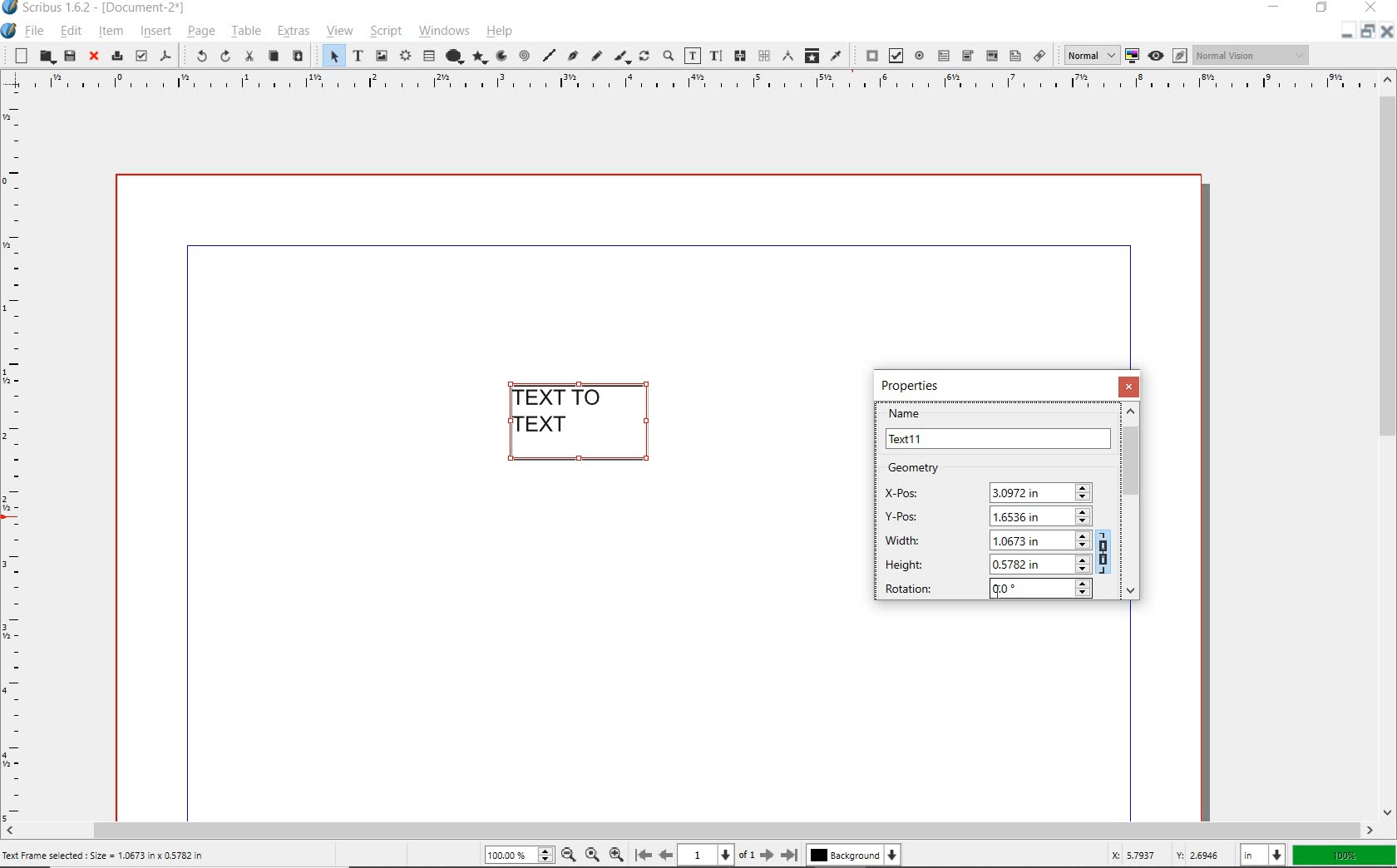 The image size is (1397, 868). Describe the element at coordinates (155, 31) in the screenshot. I see `insert` at that location.